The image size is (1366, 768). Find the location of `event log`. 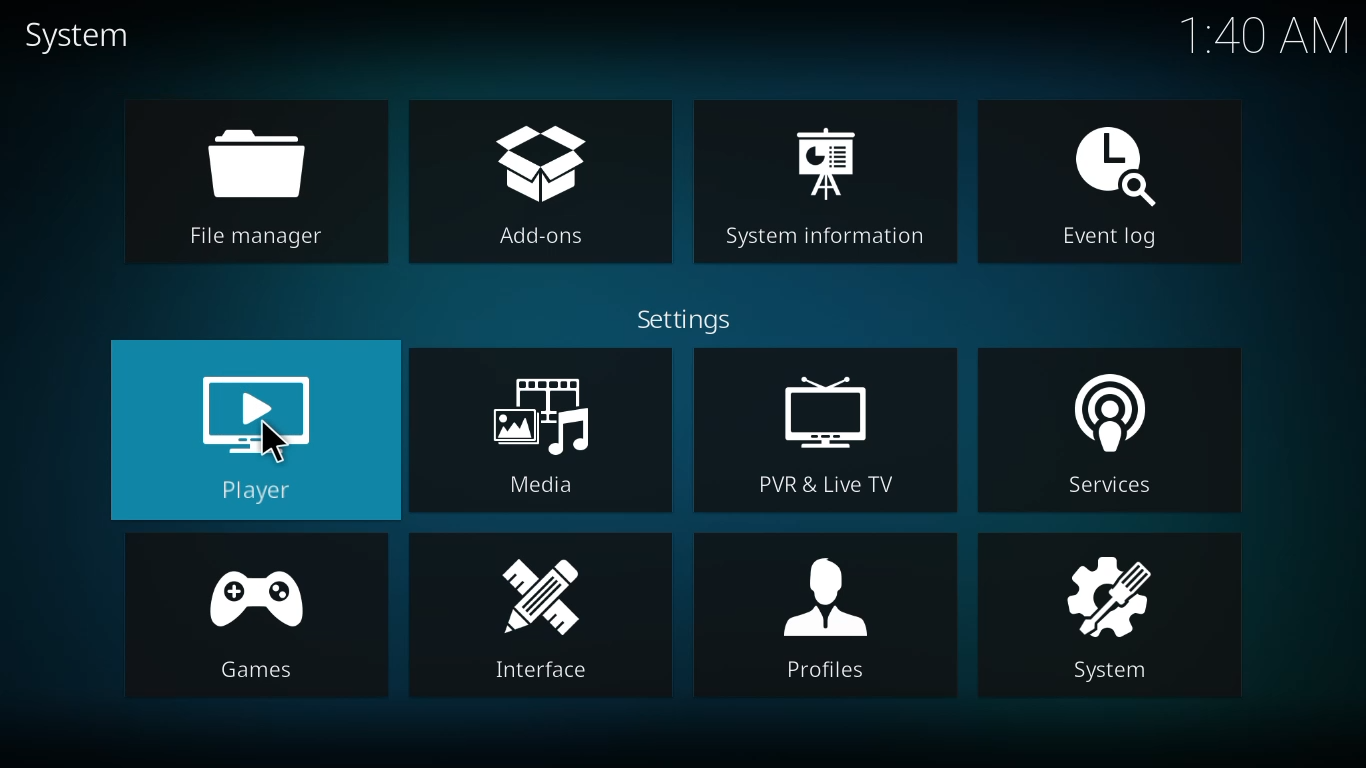

event log is located at coordinates (1107, 178).